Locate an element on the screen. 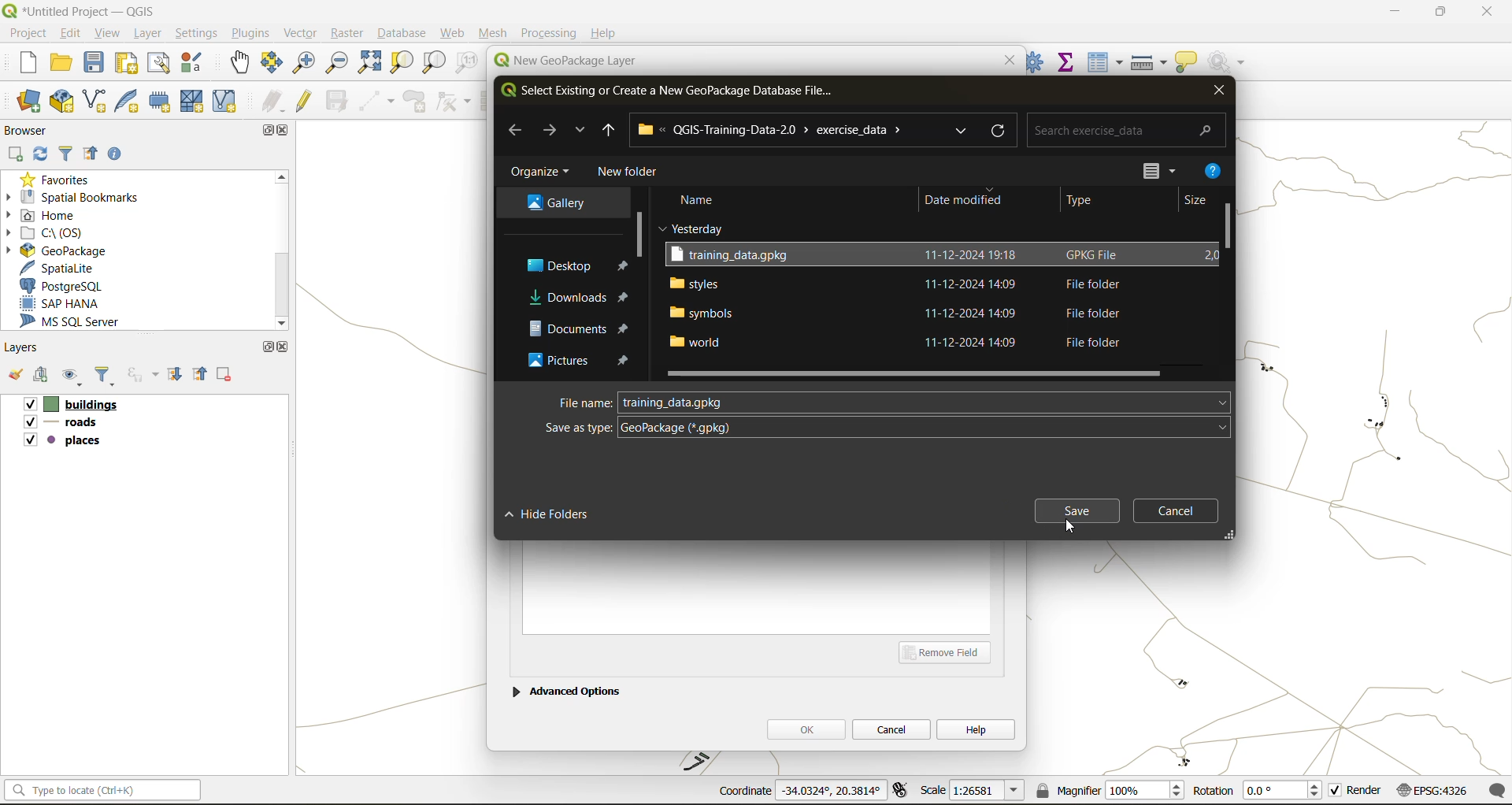  maximize is located at coordinates (267, 347).